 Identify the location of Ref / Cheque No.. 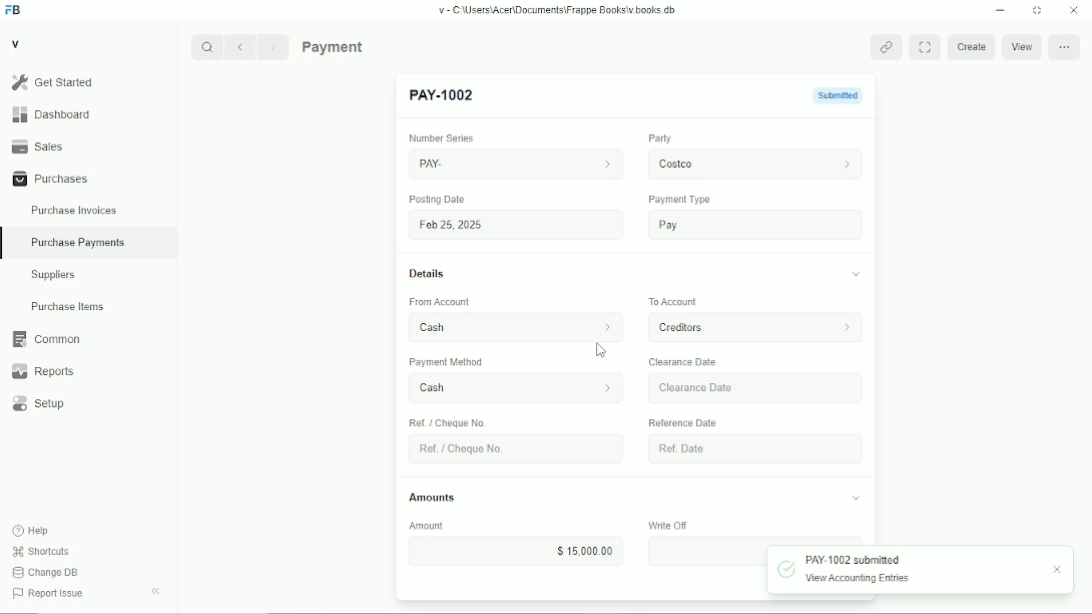
(450, 422).